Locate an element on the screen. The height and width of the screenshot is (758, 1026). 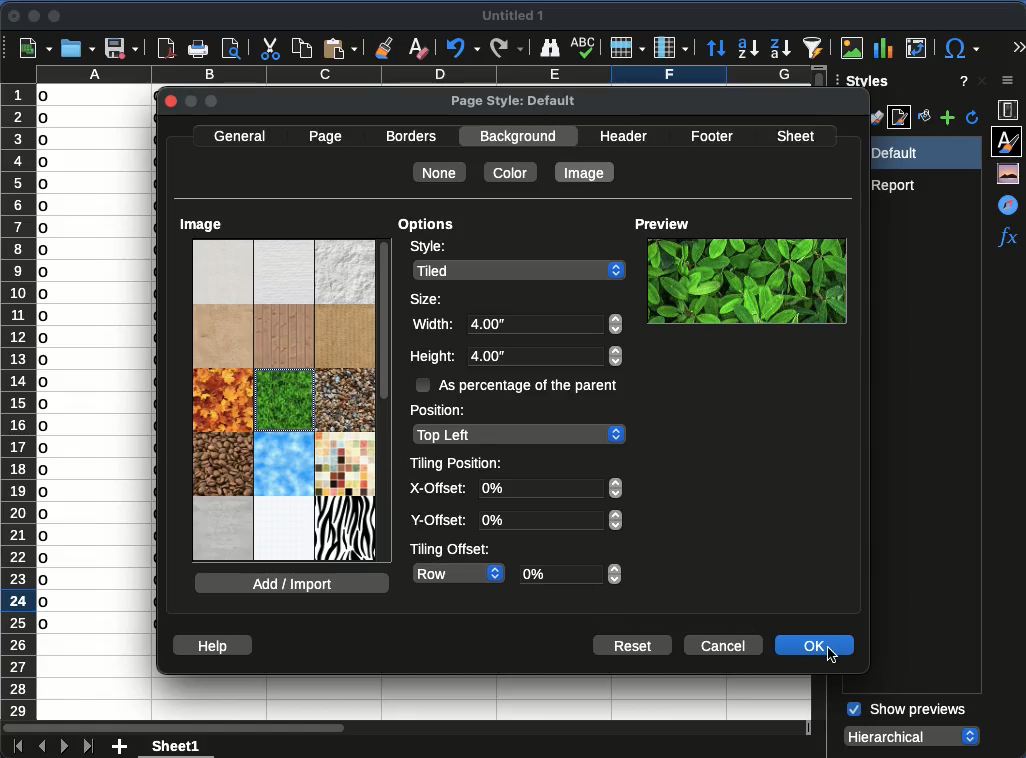
green is located at coordinates (745, 280).